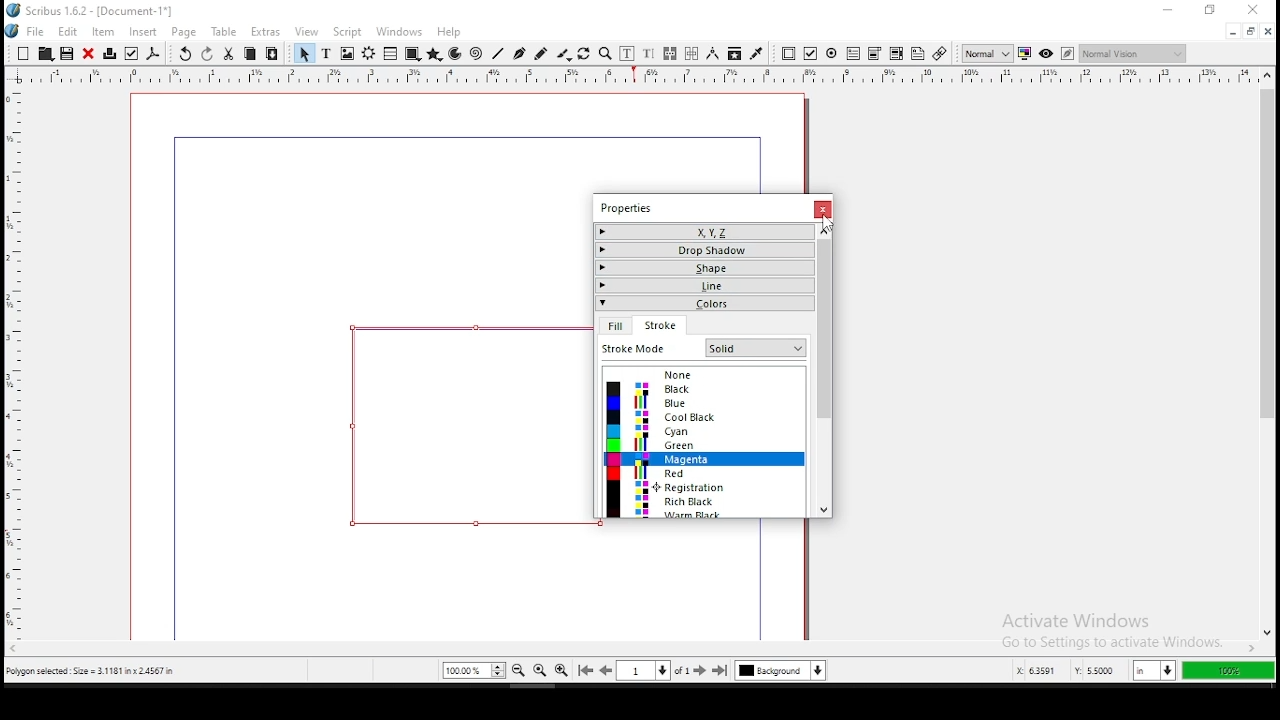 The image size is (1280, 720). Describe the element at coordinates (562, 671) in the screenshot. I see `zoom in` at that location.